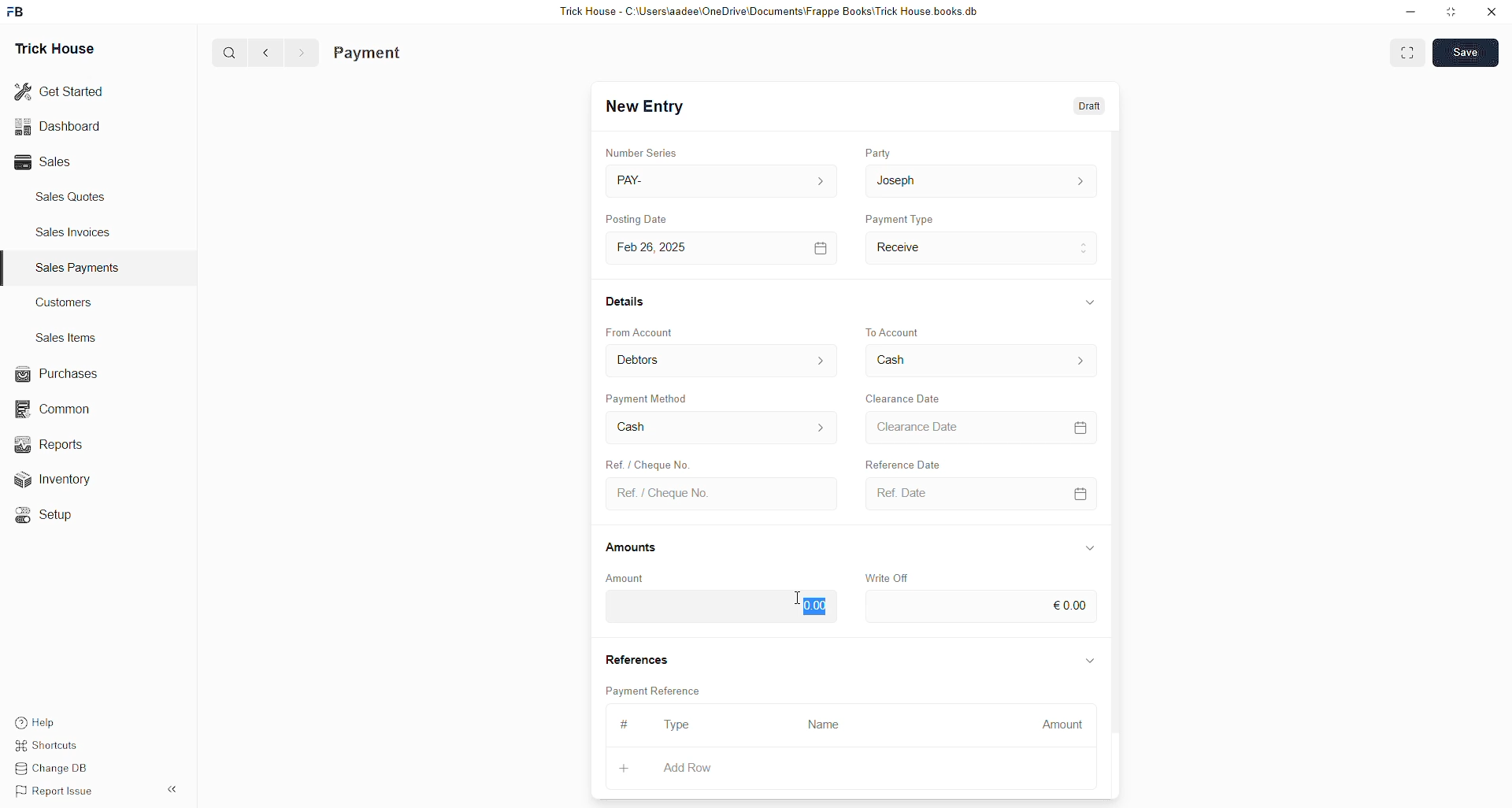 The image size is (1512, 808). What do you see at coordinates (78, 232) in the screenshot?
I see `Sales Invoices` at bounding box center [78, 232].